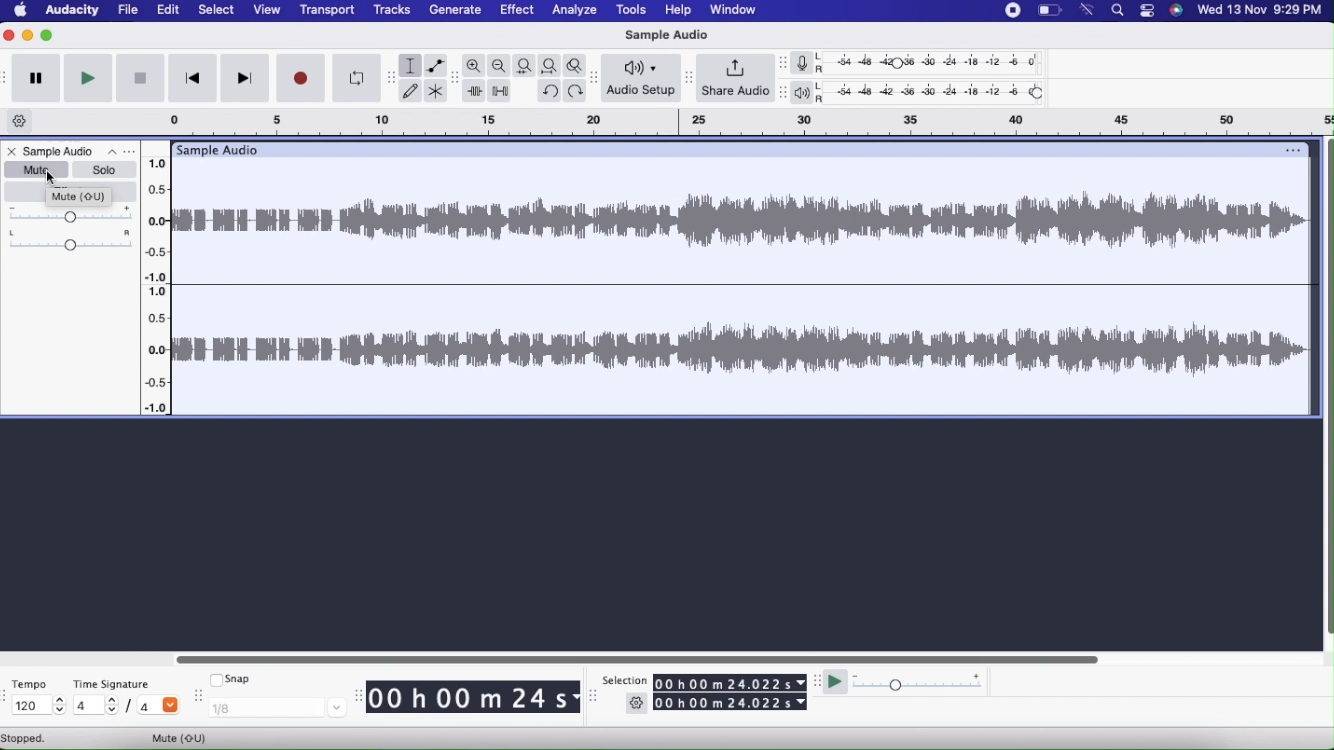 This screenshot has height=750, width=1334. I want to click on Selection tool, so click(412, 66).